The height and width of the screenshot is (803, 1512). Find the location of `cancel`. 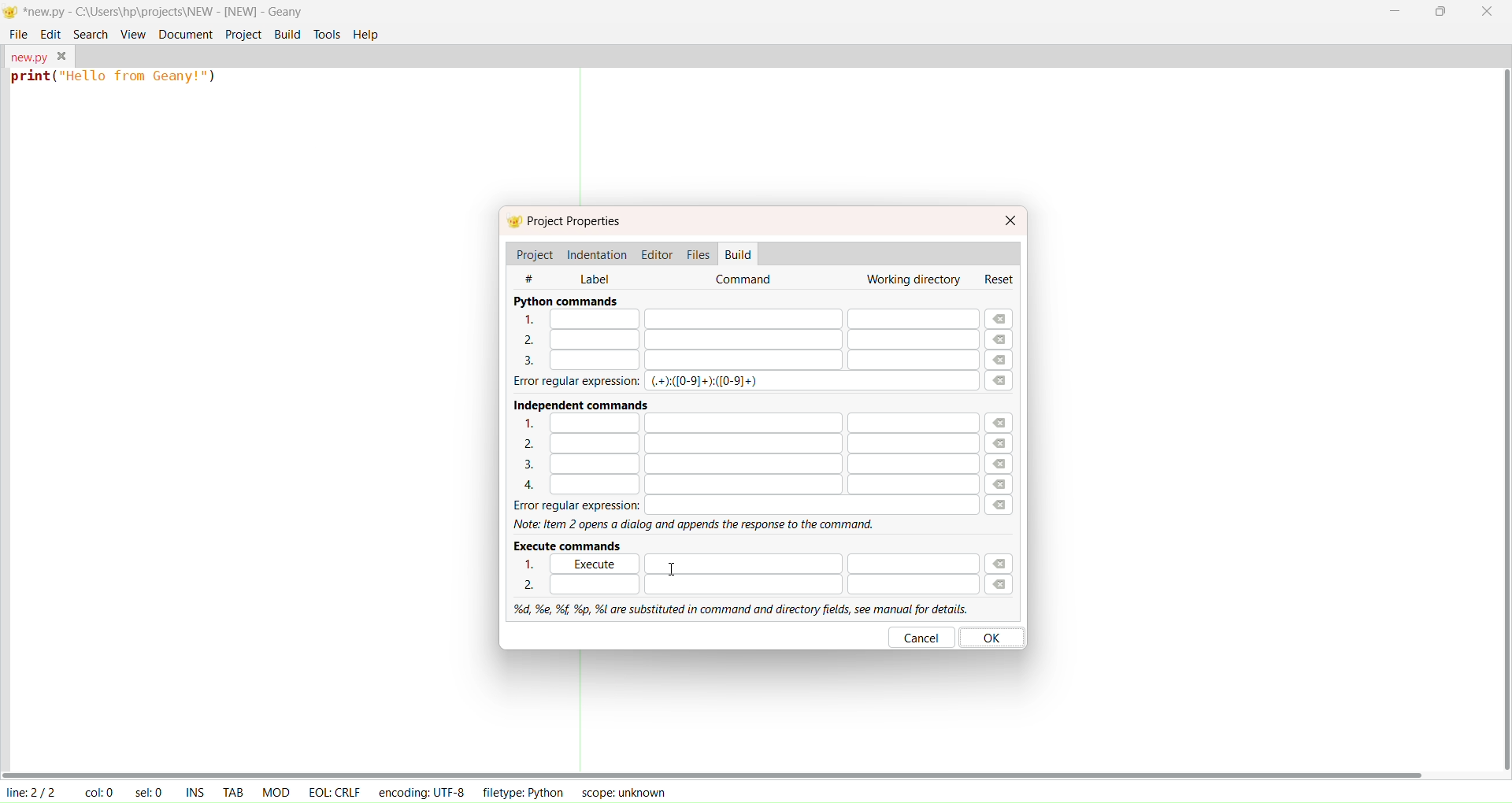

cancel is located at coordinates (922, 637).